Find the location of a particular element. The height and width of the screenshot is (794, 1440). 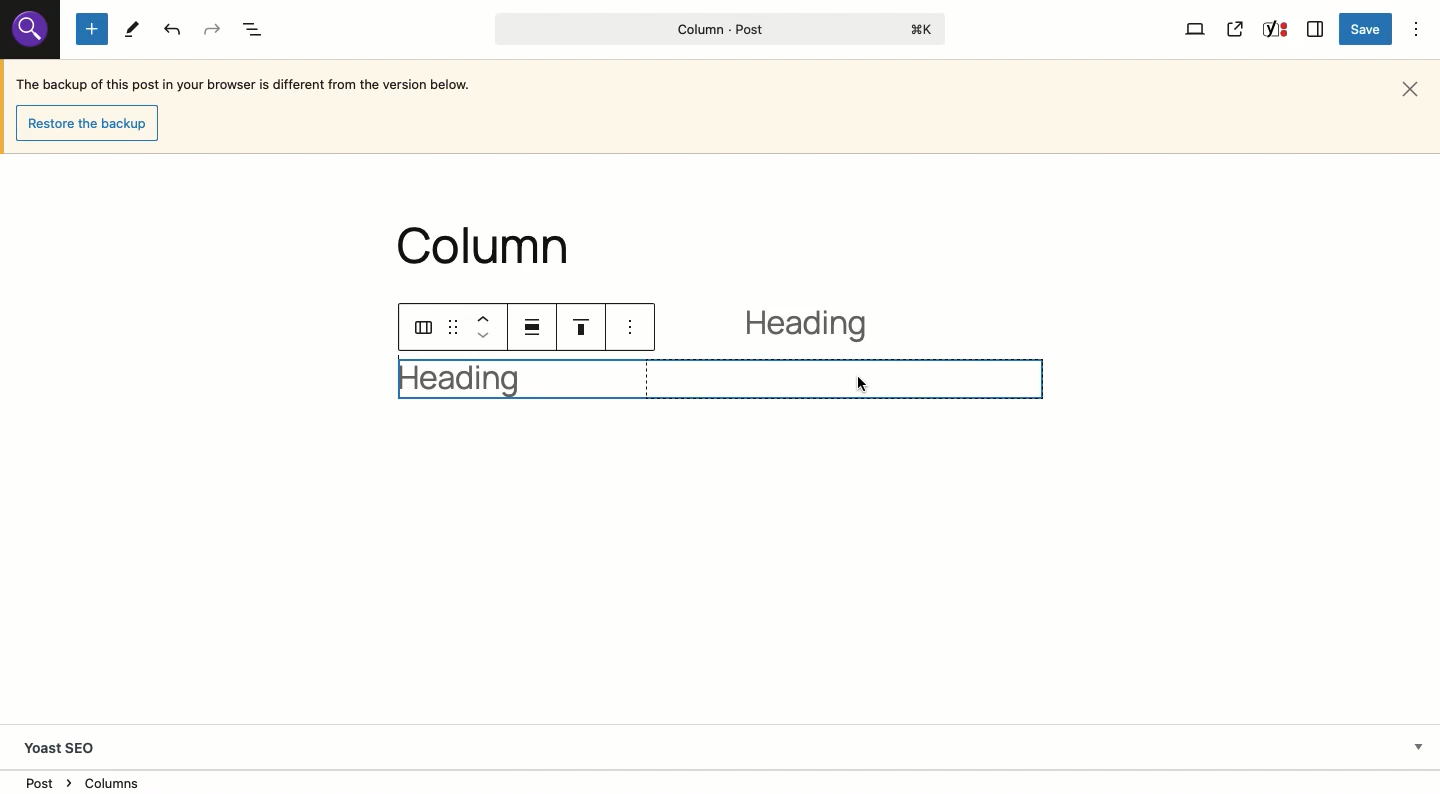

Undo is located at coordinates (174, 30).